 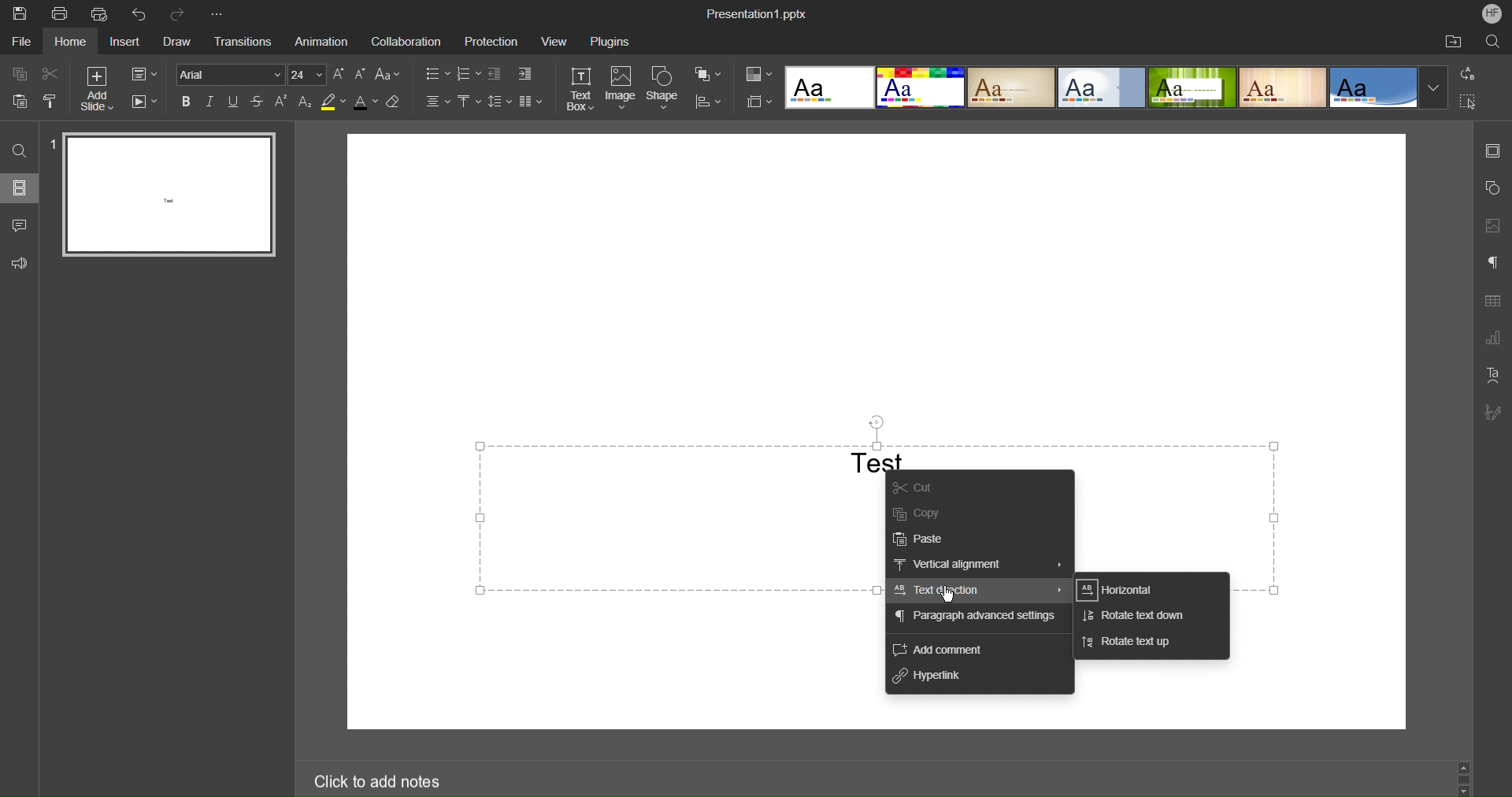 I want to click on Paragraph advanced settings, so click(x=976, y=621).